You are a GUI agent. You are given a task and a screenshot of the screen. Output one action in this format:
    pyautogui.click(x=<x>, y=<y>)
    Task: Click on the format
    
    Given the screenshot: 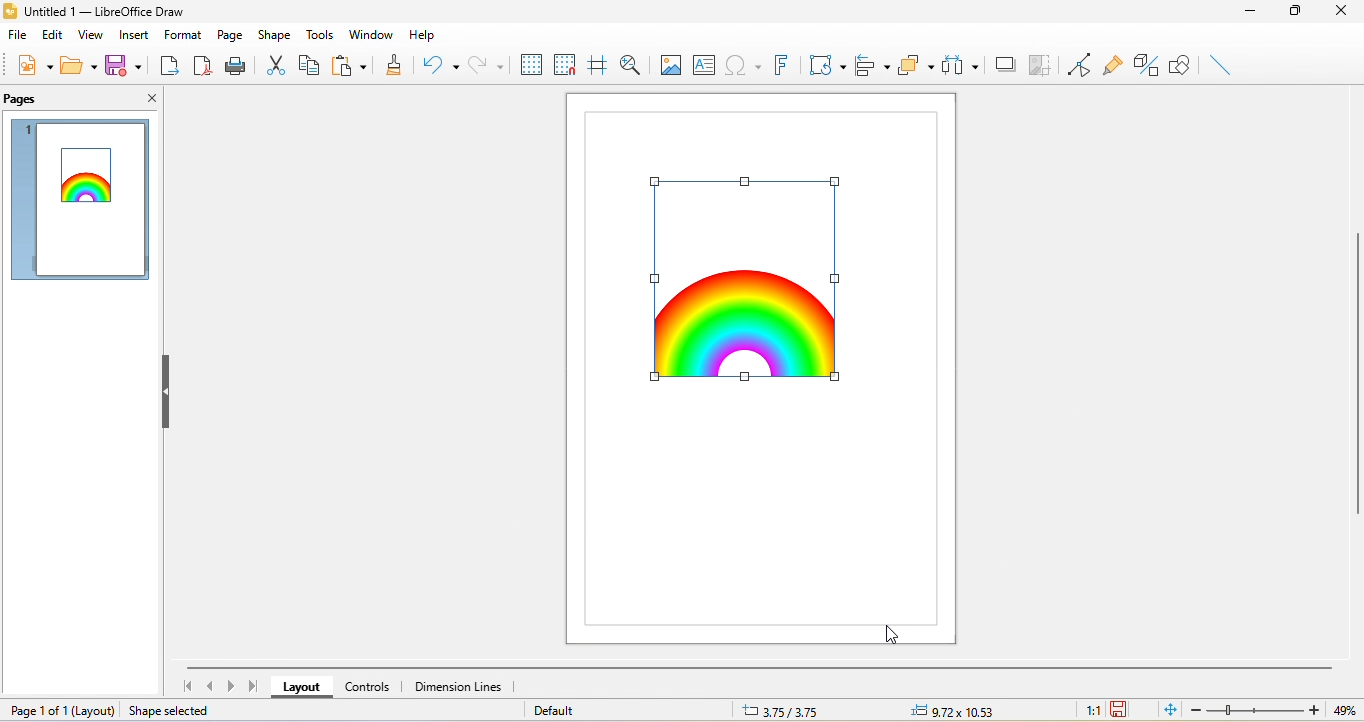 What is the action you would take?
    pyautogui.click(x=181, y=32)
    